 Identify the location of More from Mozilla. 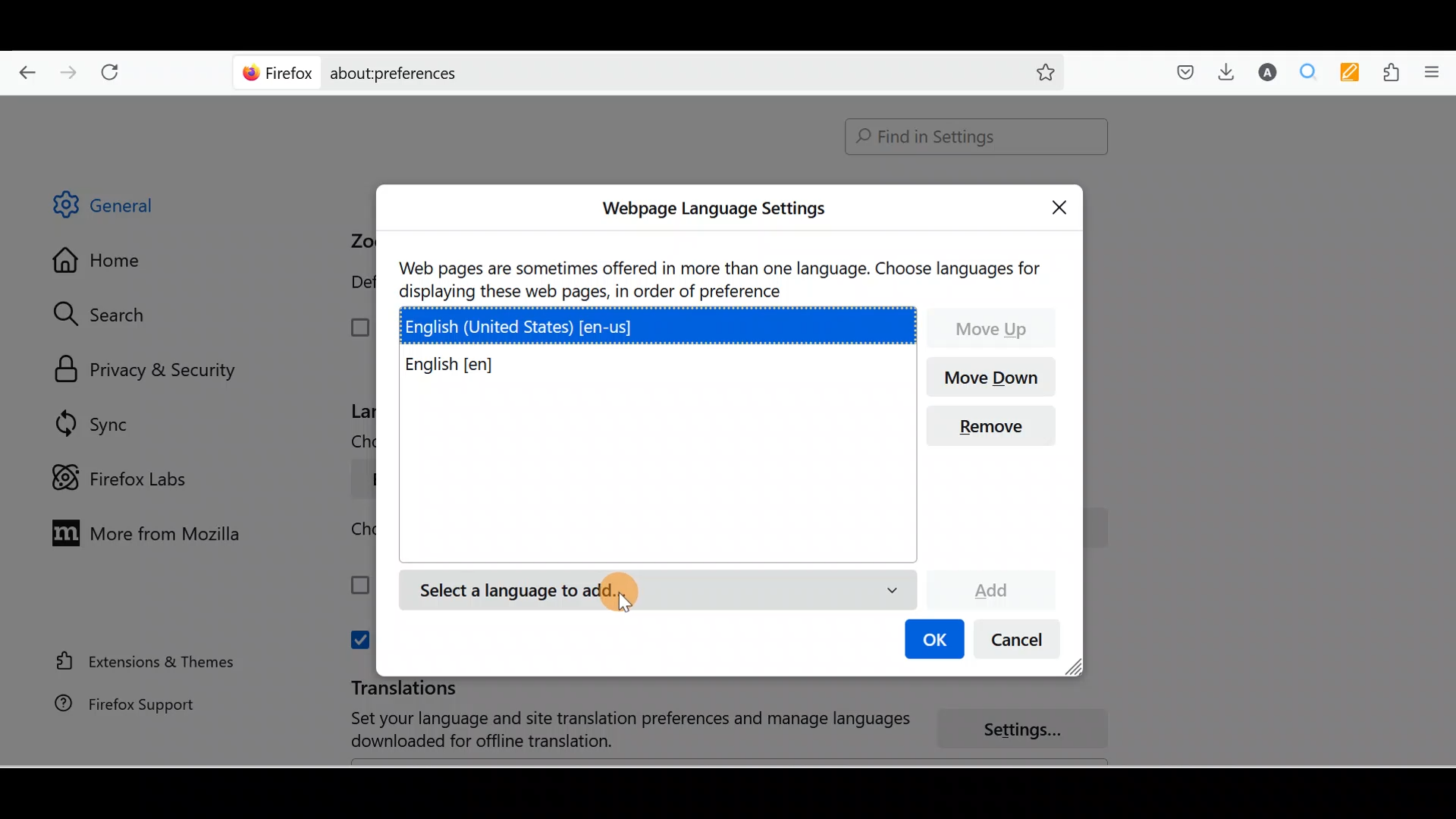
(142, 532).